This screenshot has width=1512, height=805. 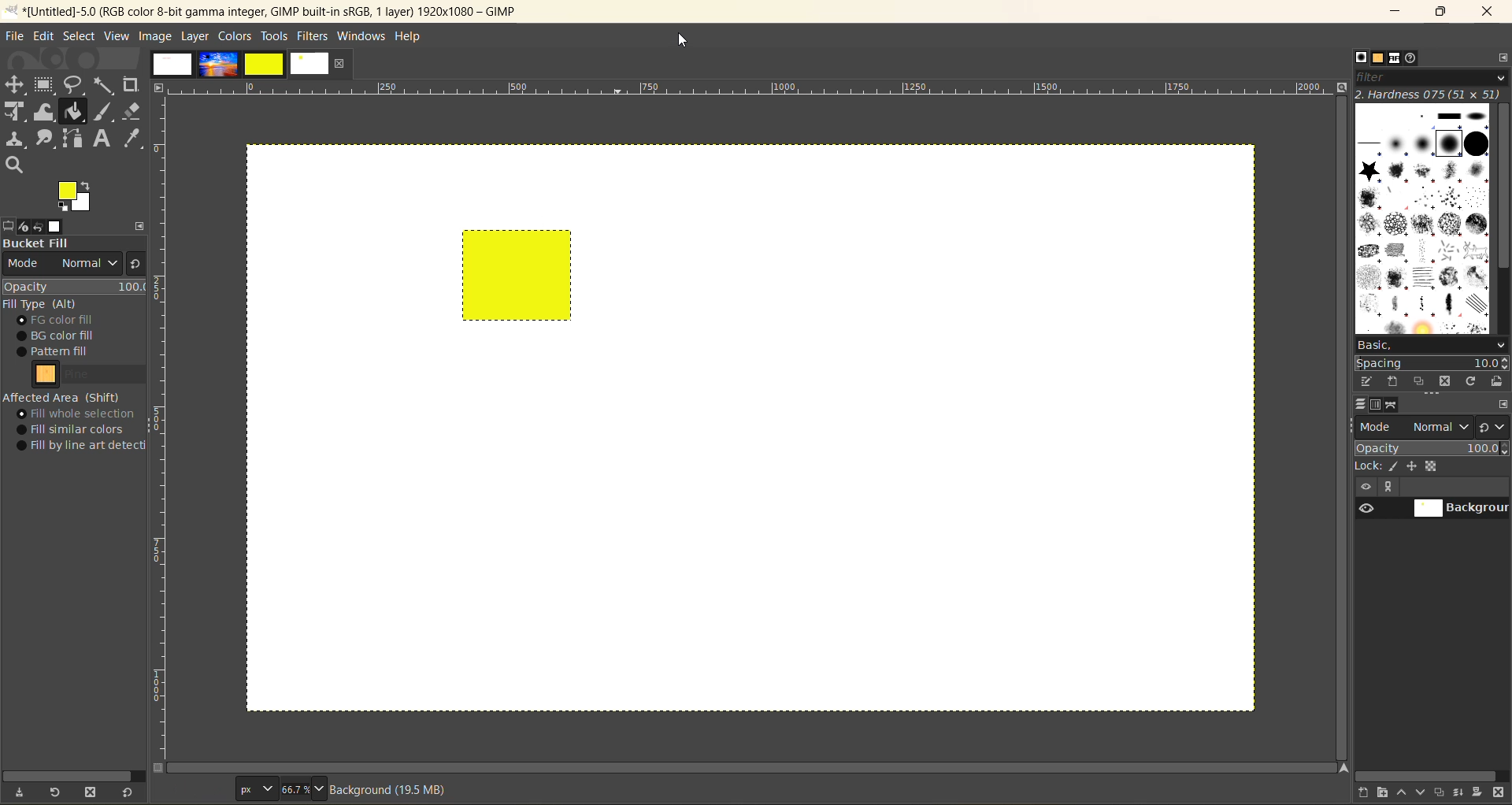 I want to click on images, so click(x=59, y=225).